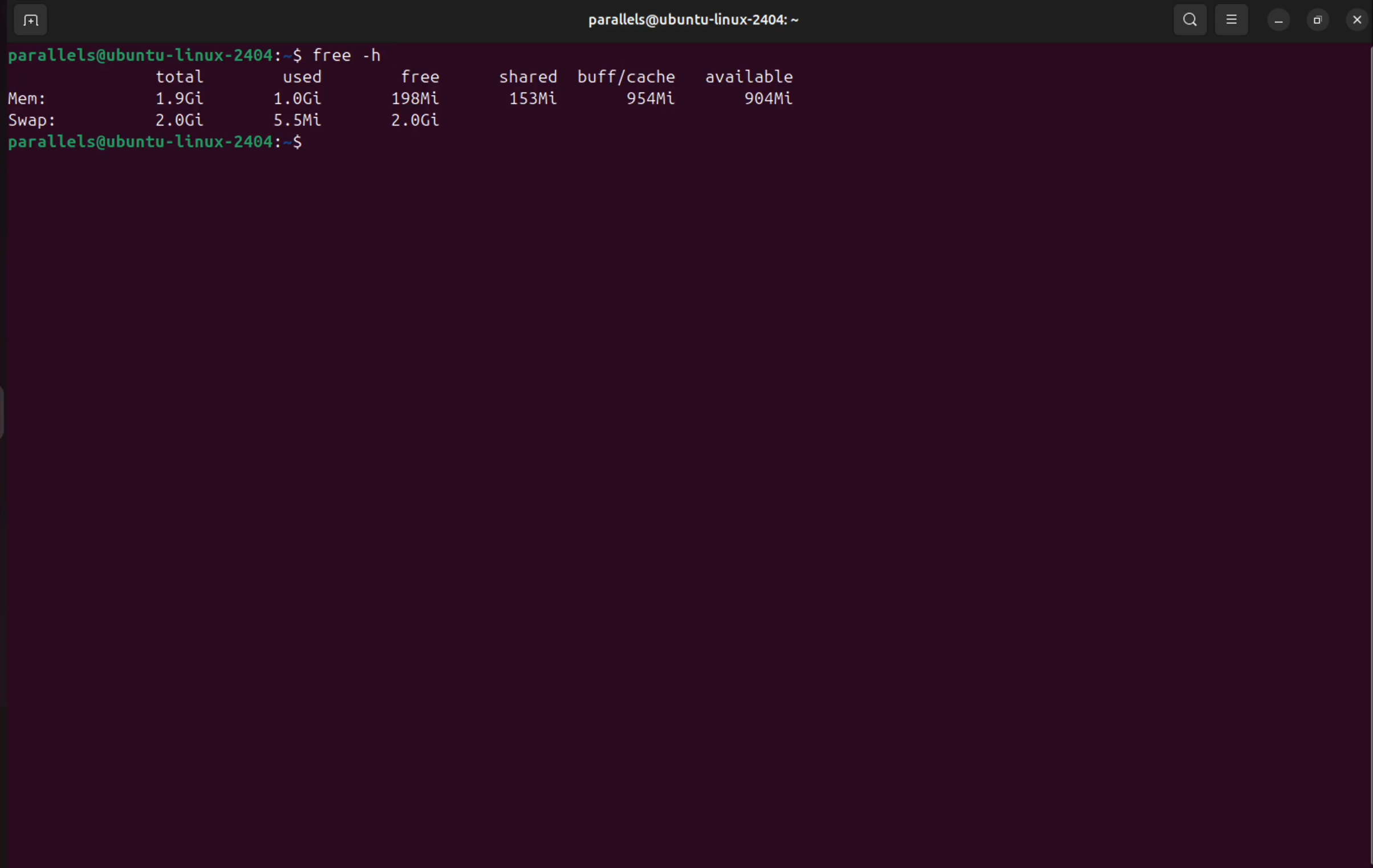 Image resolution: width=1373 pixels, height=868 pixels. Describe the element at coordinates (346, 52) in the screenshot. I see `free-h` at that location.